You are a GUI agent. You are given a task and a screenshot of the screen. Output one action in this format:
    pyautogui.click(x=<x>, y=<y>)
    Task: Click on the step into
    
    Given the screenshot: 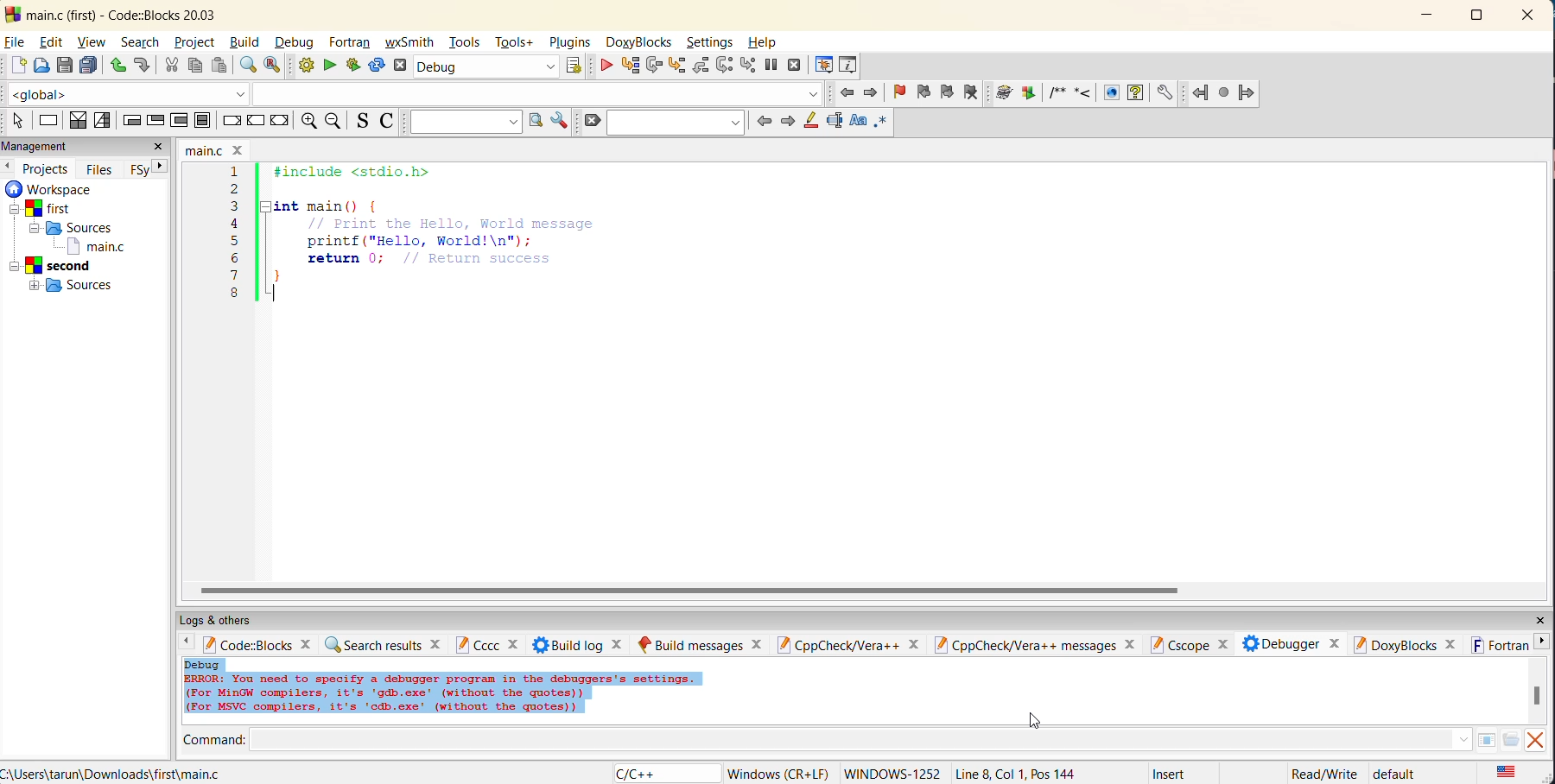 What is the action you would take?
    pyautogui.click(x=676, y=65)
    